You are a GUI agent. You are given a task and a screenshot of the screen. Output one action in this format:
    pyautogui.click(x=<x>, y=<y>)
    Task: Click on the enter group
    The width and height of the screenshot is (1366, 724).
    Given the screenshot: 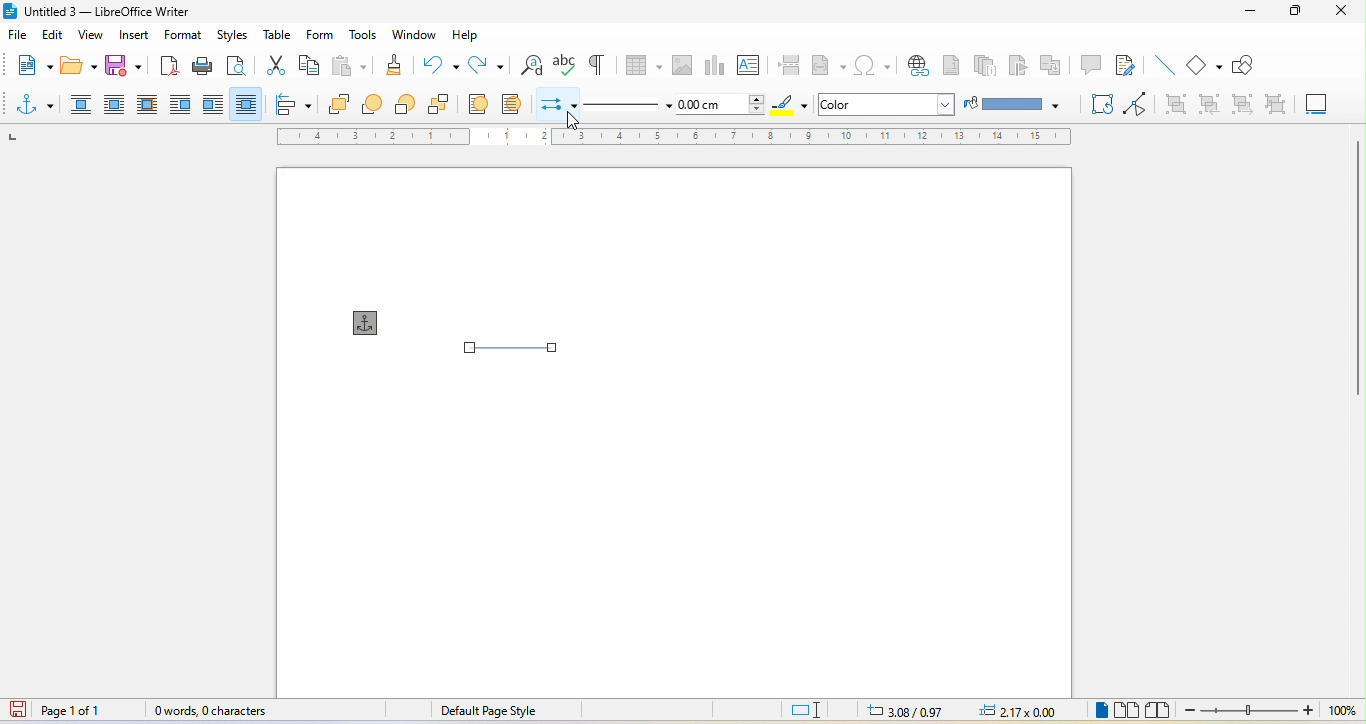 What is the action you would take?
    pyautogui.click(x=1210, y=103)
    